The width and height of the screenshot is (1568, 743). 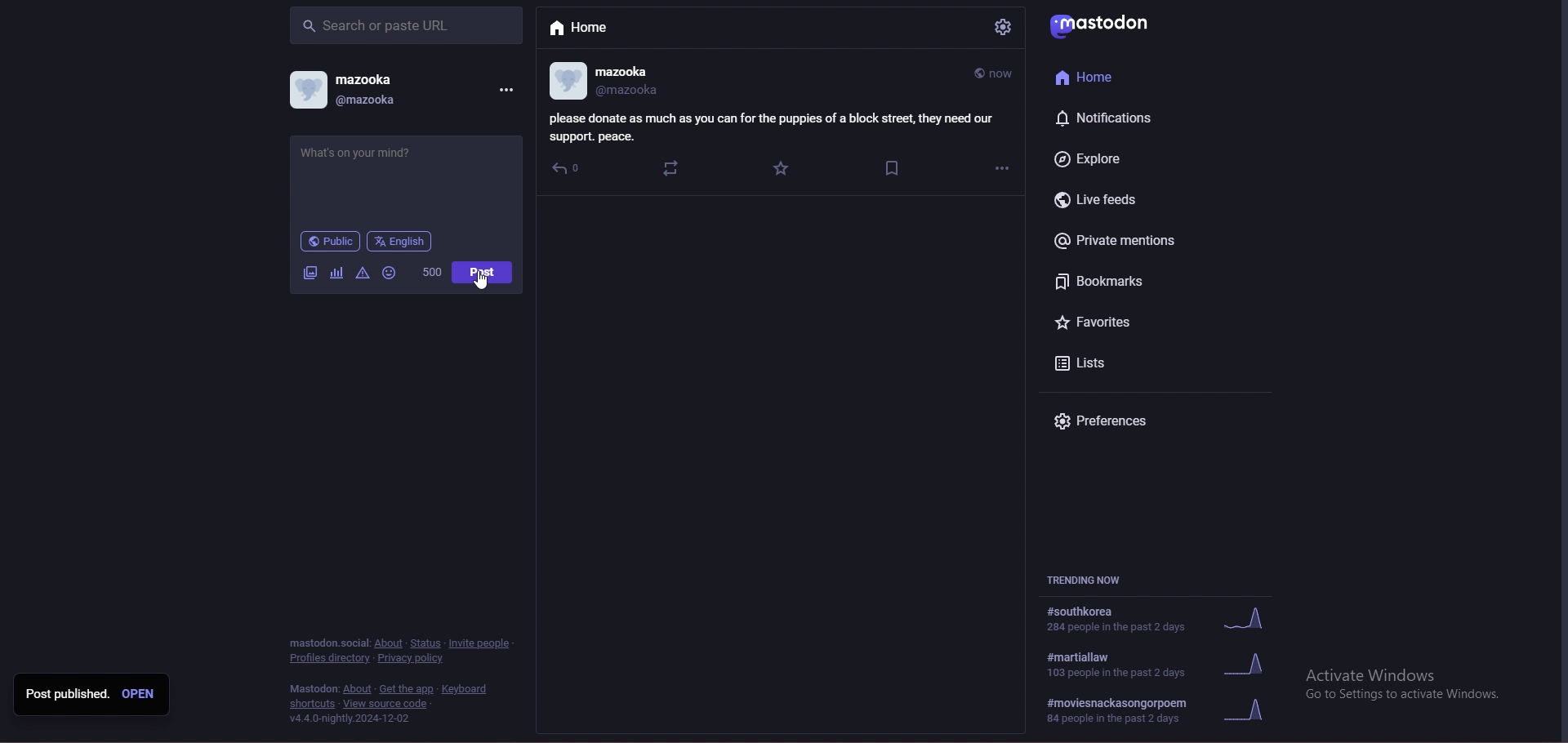 I want to click on heat add the, so click(x=406, y=689).